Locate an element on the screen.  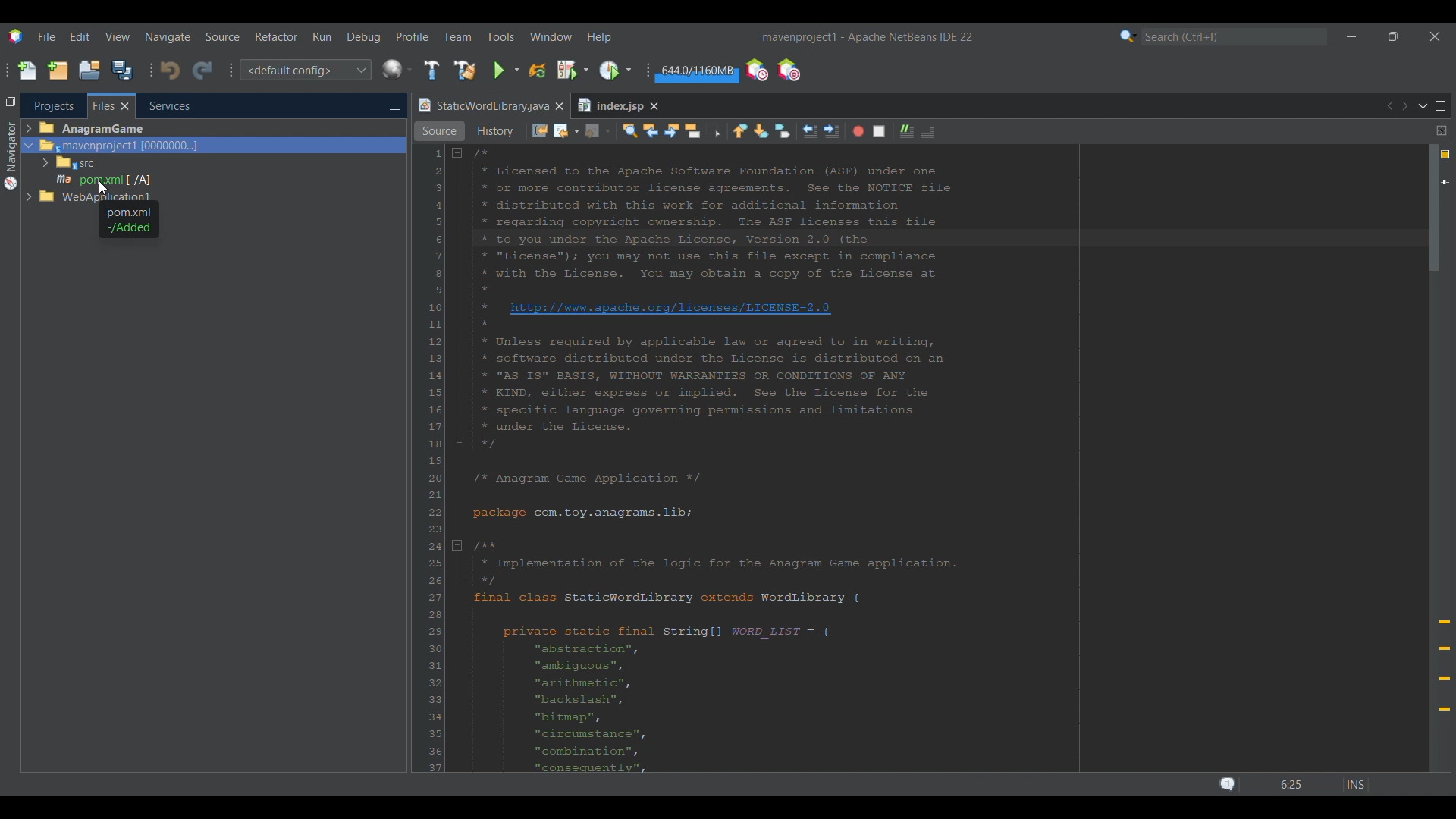
Toggle highlight search is located at coordinates (692, 131).